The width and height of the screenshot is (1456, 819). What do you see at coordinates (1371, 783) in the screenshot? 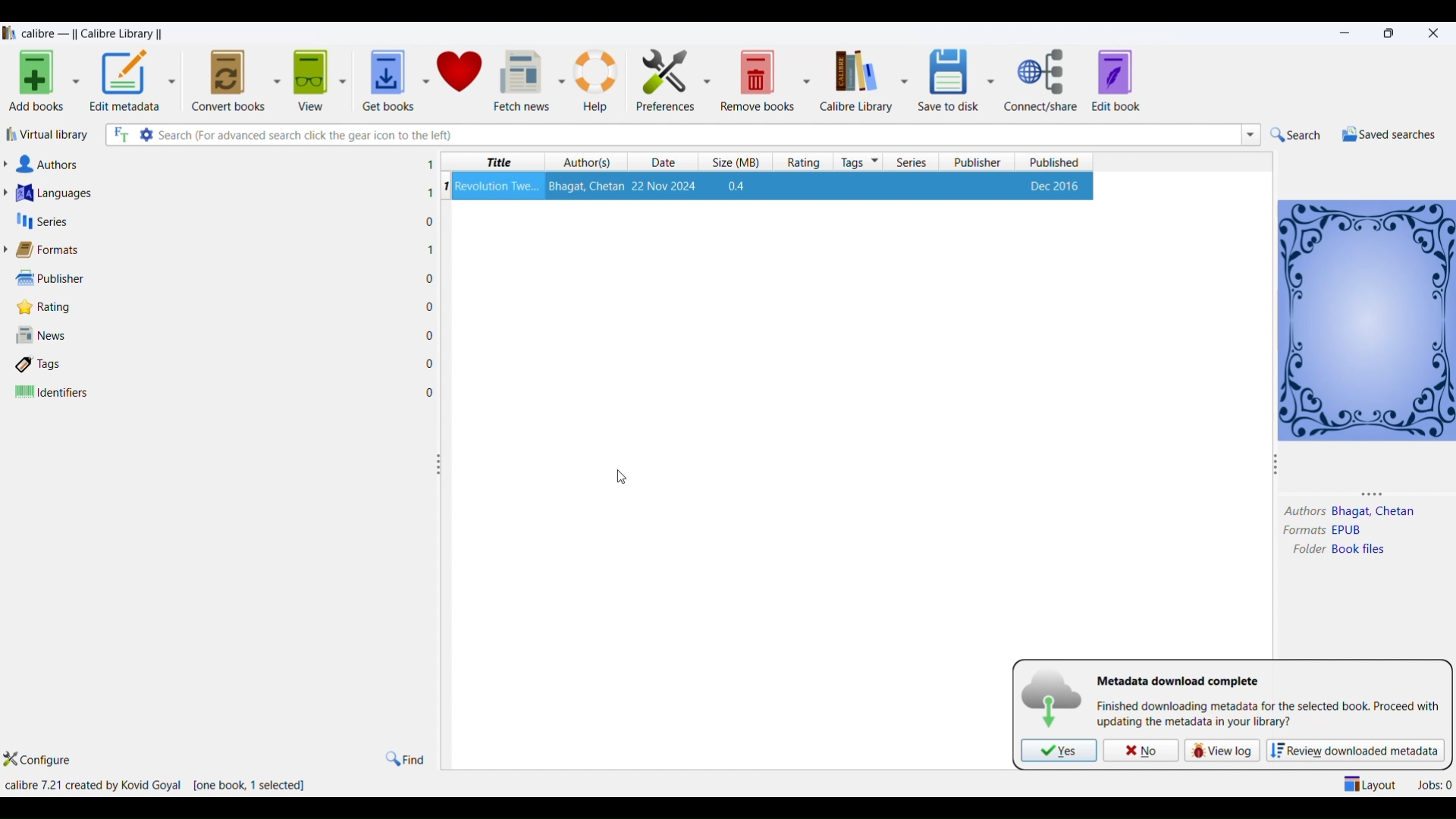
I see `layout` at bounding box center [1371, 783].